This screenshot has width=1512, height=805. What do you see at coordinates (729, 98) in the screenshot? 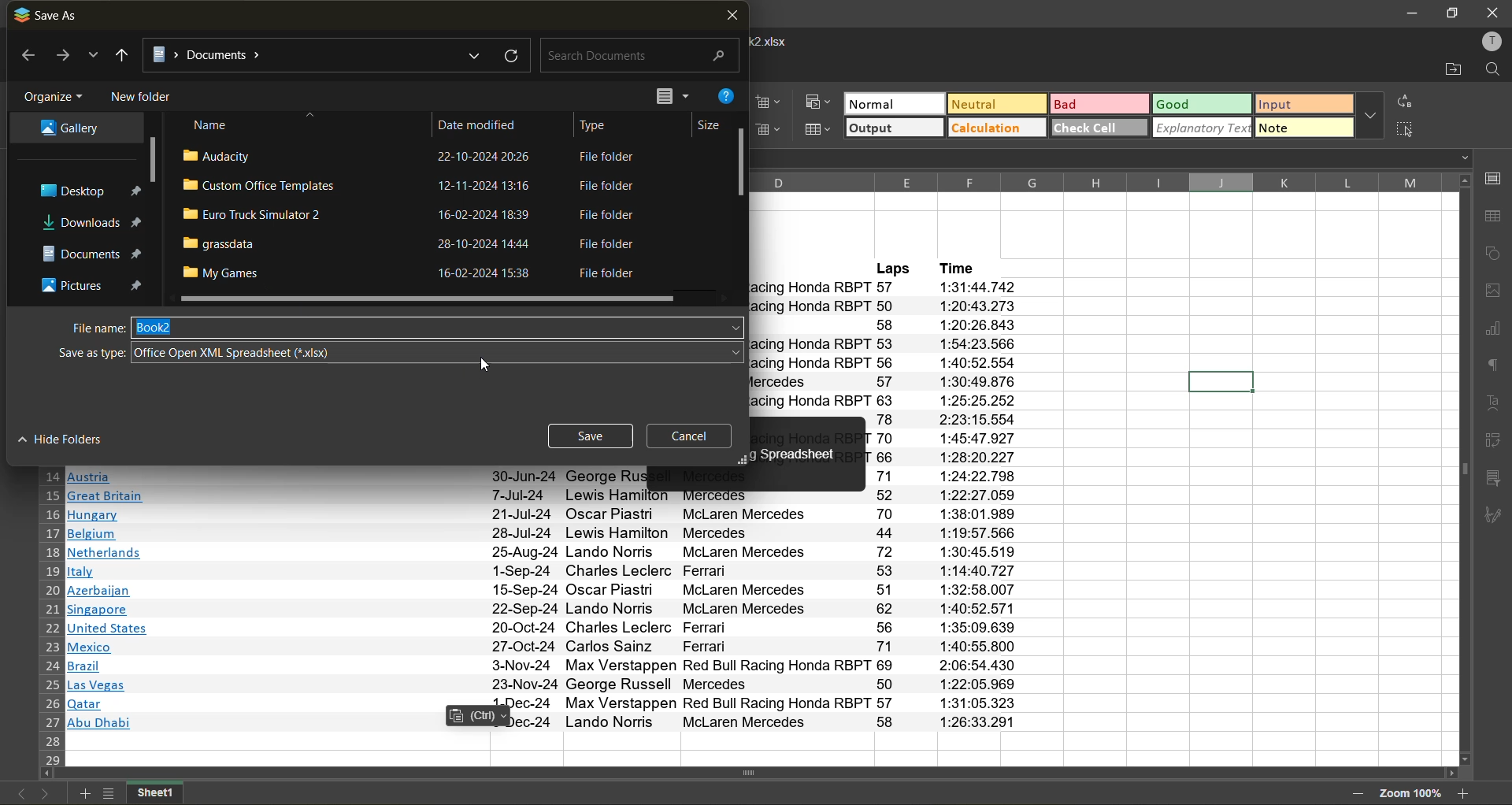
I see `help` at bounding box center [729, 98].